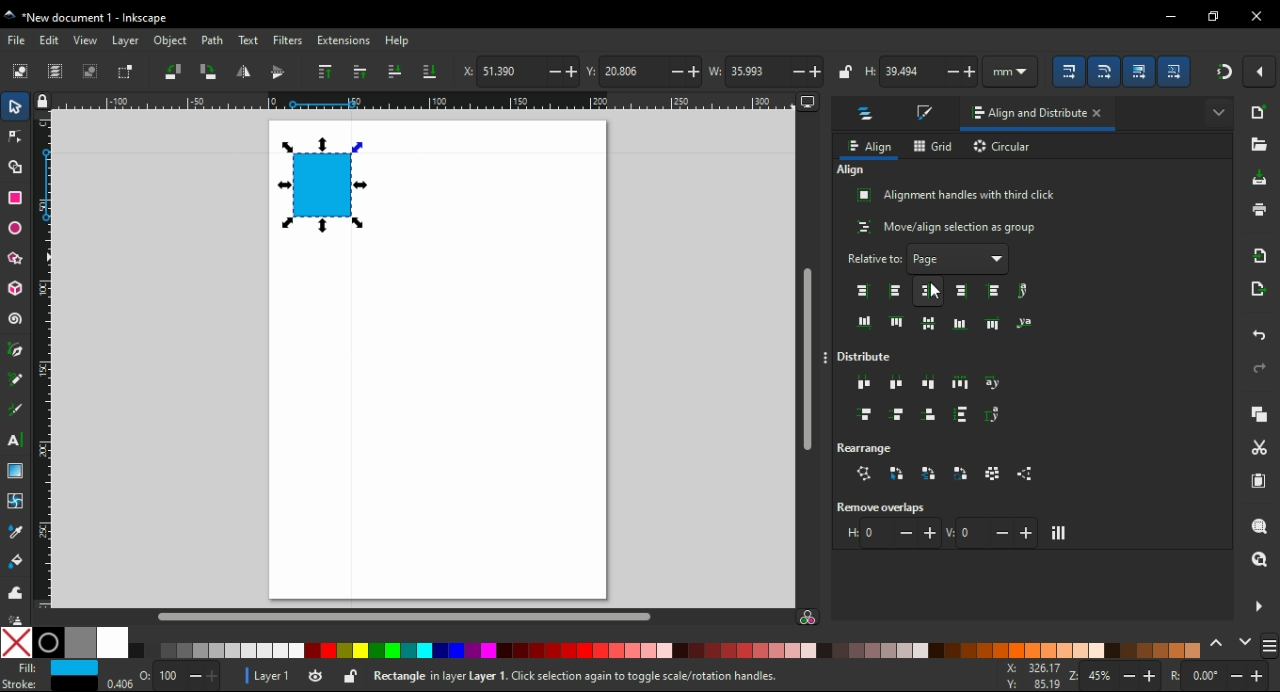 The height and width of the screenshot is (692, 1280). I want to click on align text anchors horizontally, so click(1023, 291).